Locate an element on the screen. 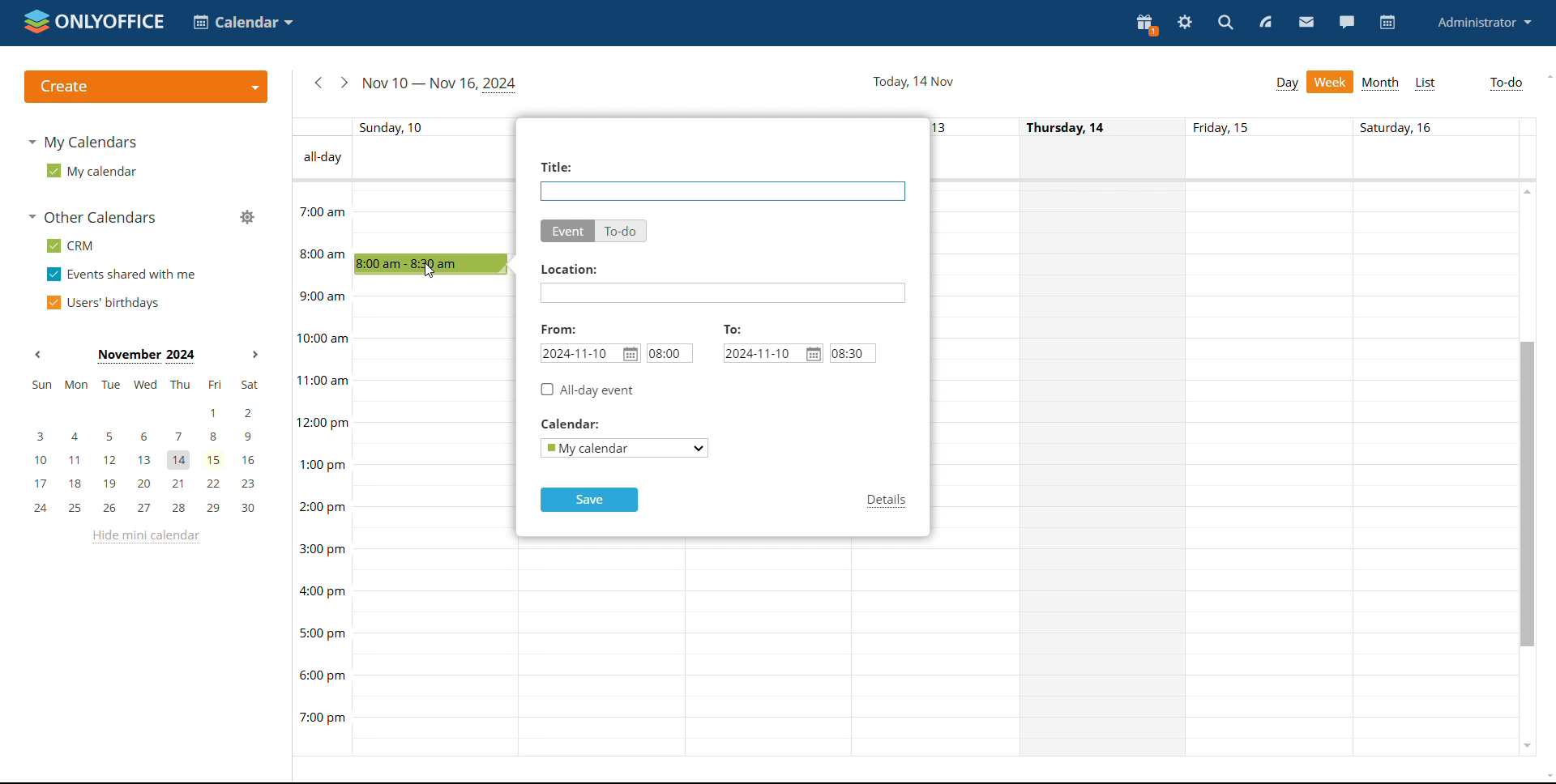  location: is located at coordinates (565, 269).